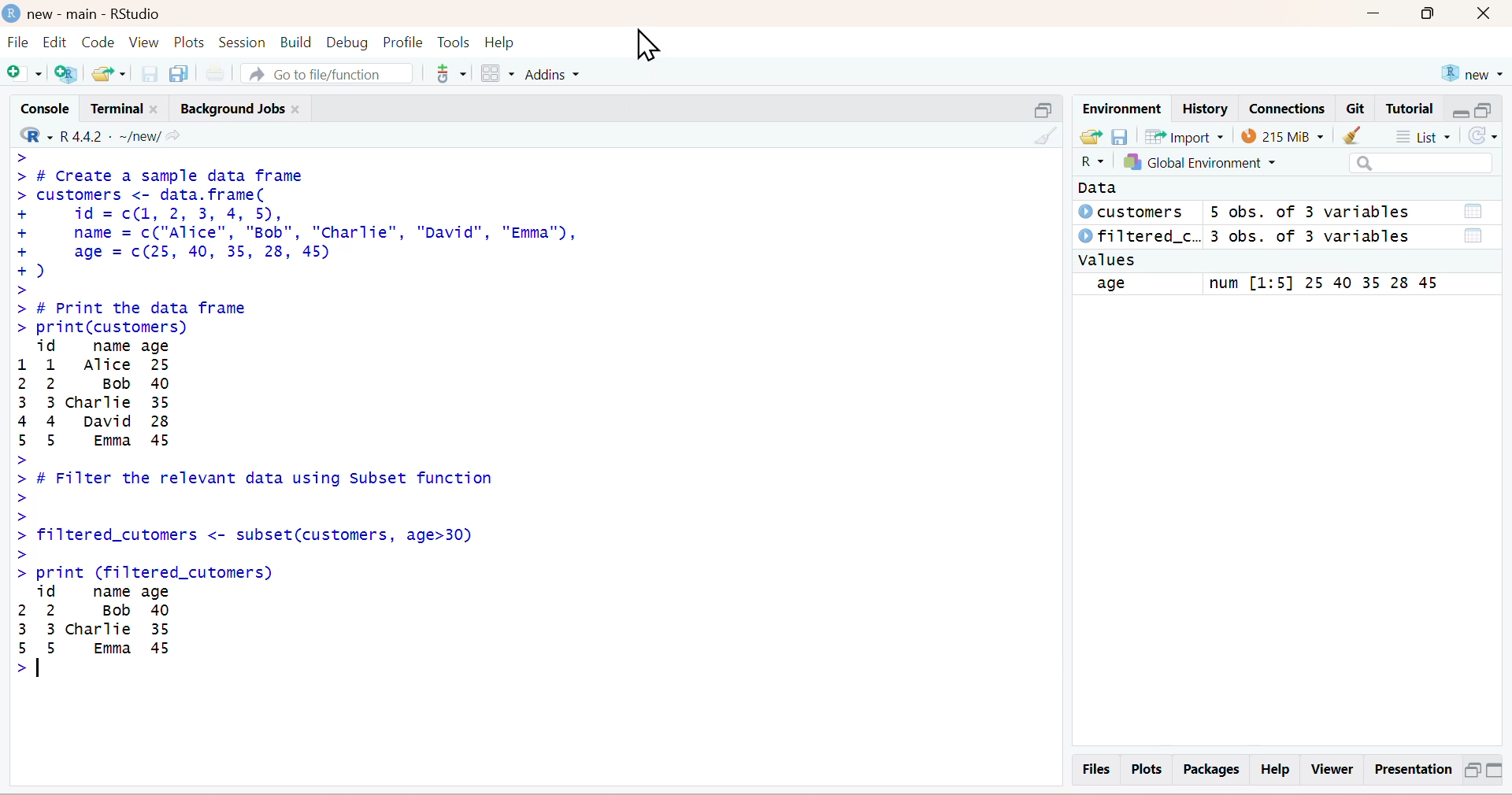 The image size is (1512, 795). Describe the element at coordinates (401, 42) in the screenshot. I see `Profile` at that location.